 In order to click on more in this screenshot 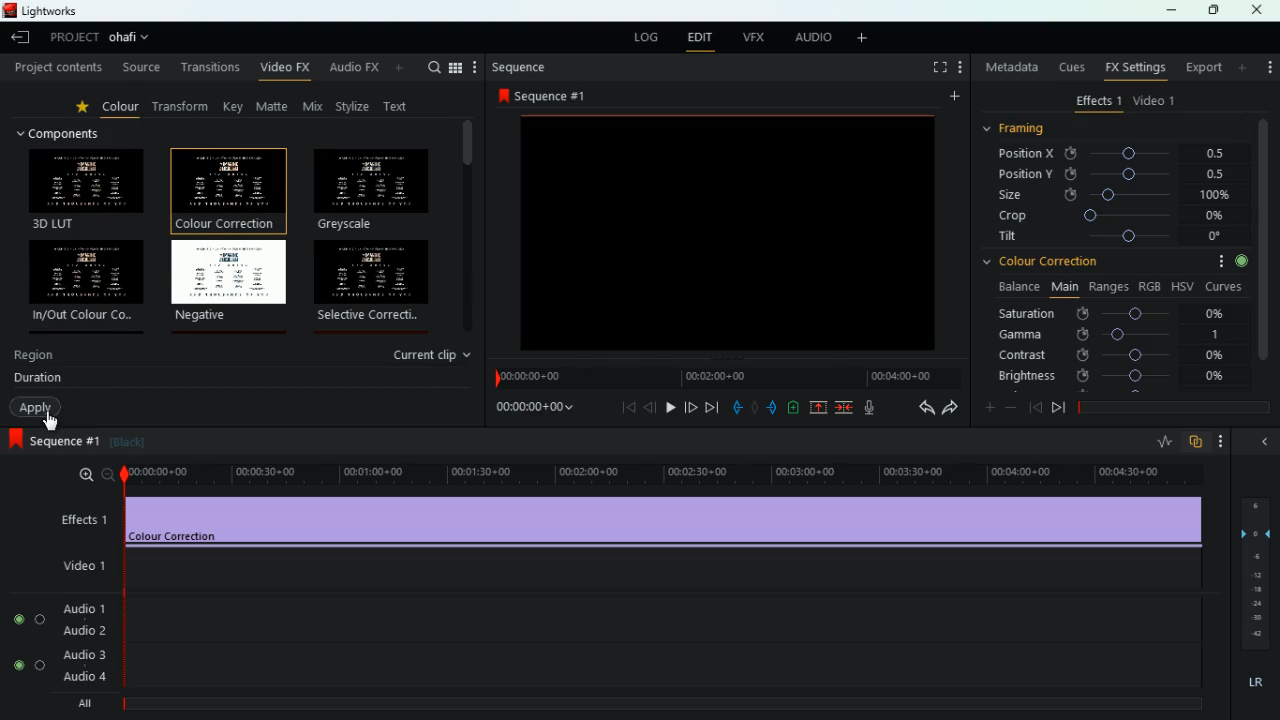, I will do `click(1268, 70)`.